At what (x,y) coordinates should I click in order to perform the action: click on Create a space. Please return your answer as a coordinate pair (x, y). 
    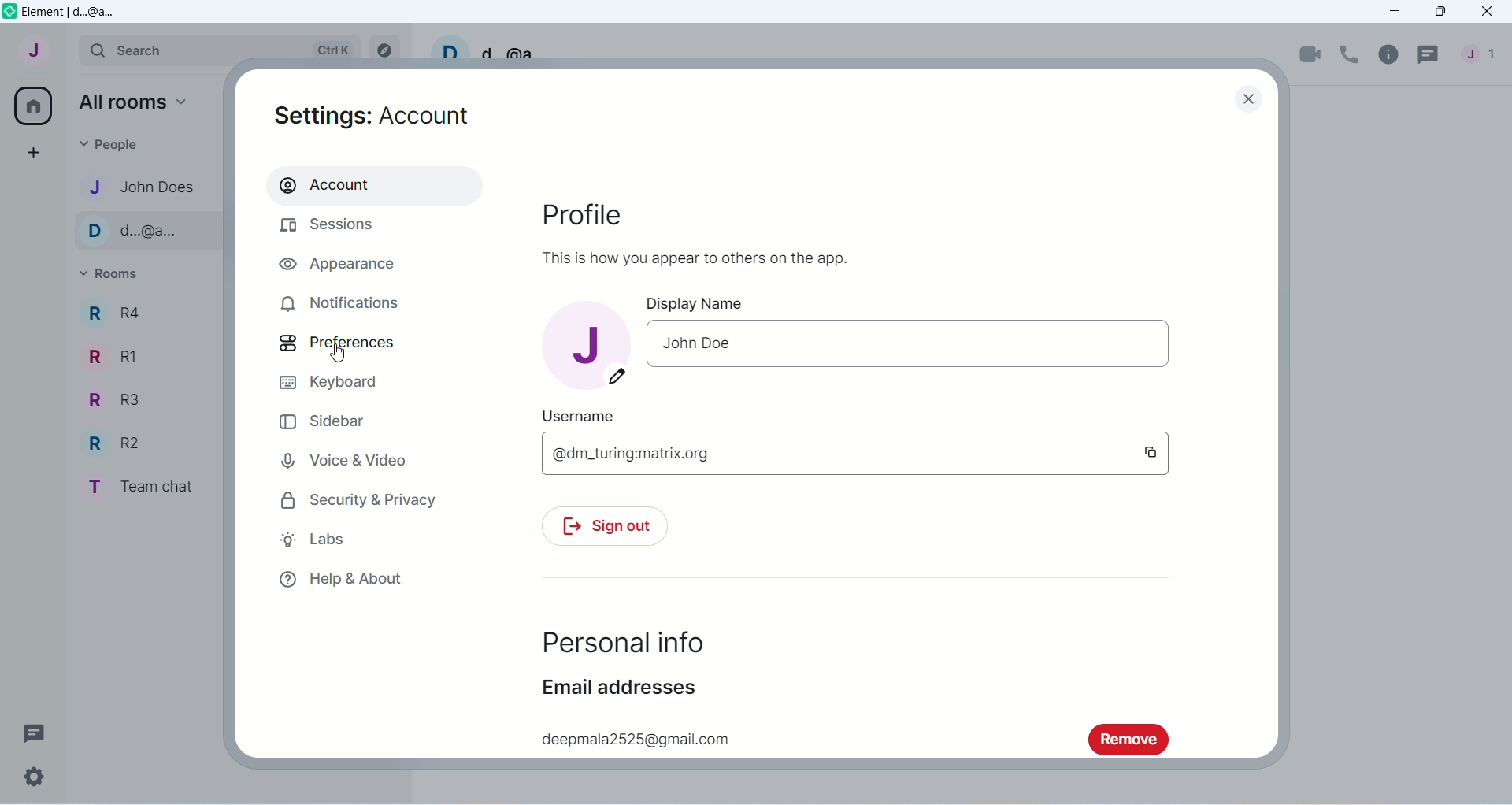
    Looking at the image, I should click on (28, 150).